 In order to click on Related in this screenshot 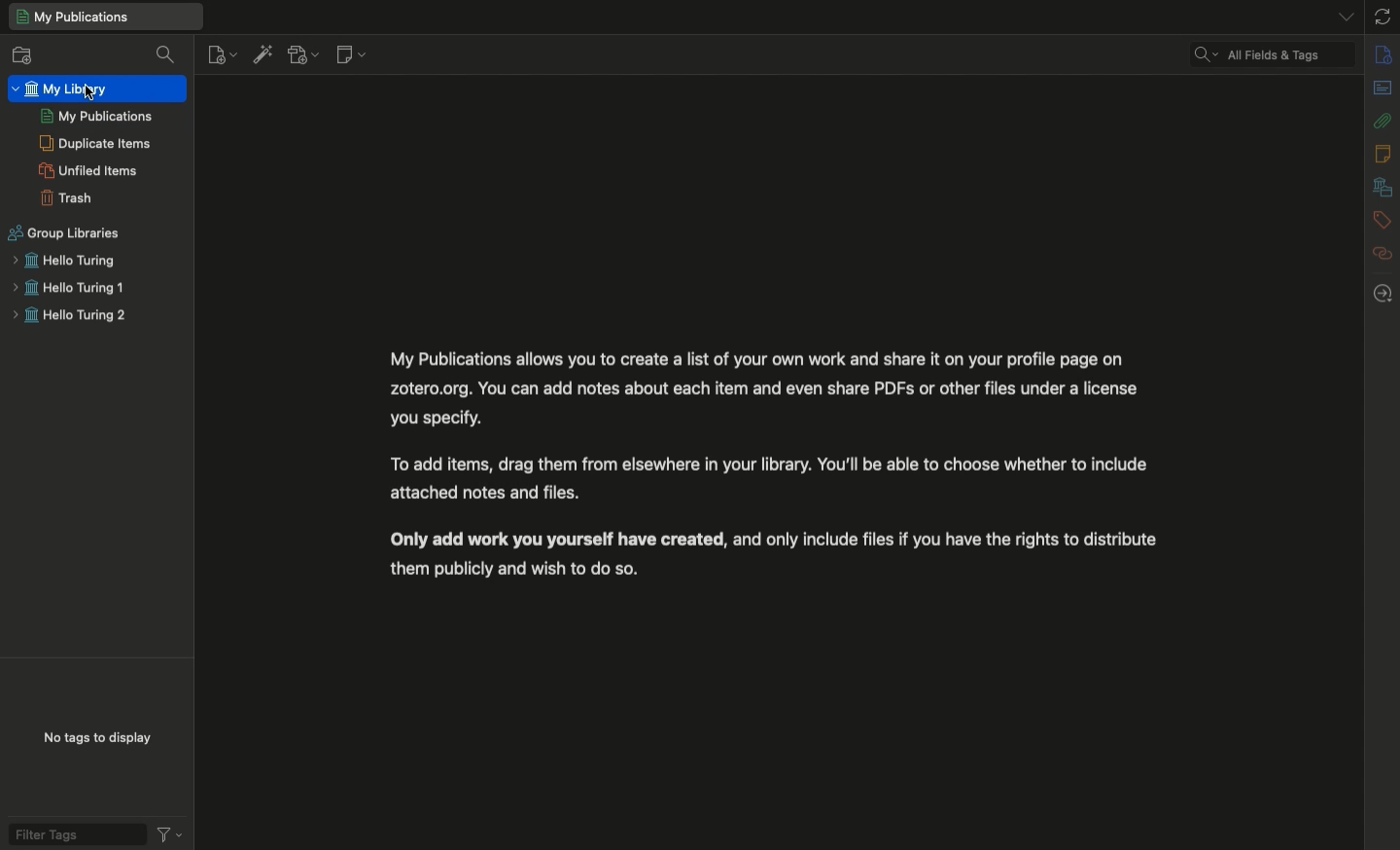, I will do `click(1382, 253)`.